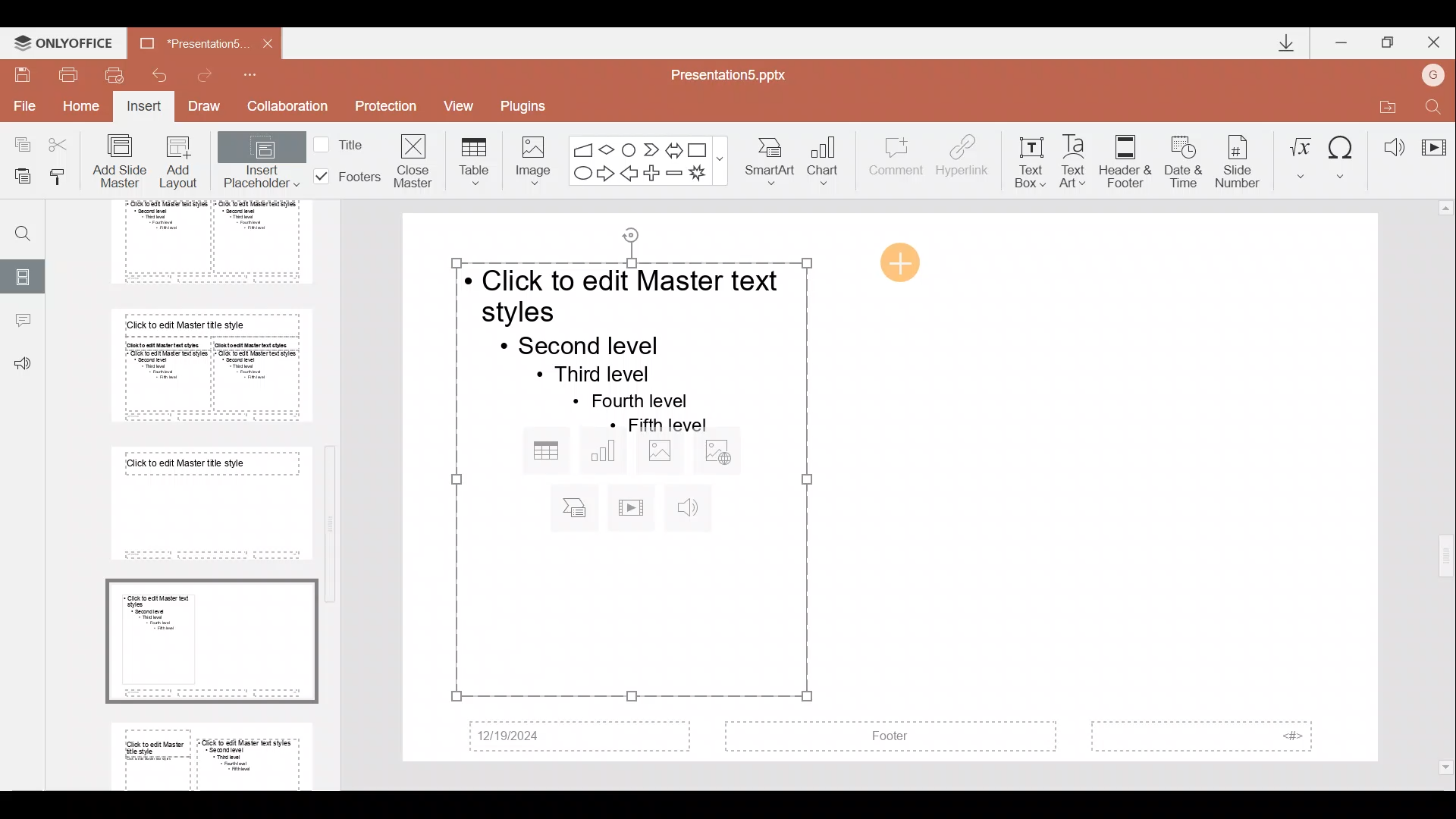 The image size is (1456, 819). I want to click on Maximize, so click(1389, 40).